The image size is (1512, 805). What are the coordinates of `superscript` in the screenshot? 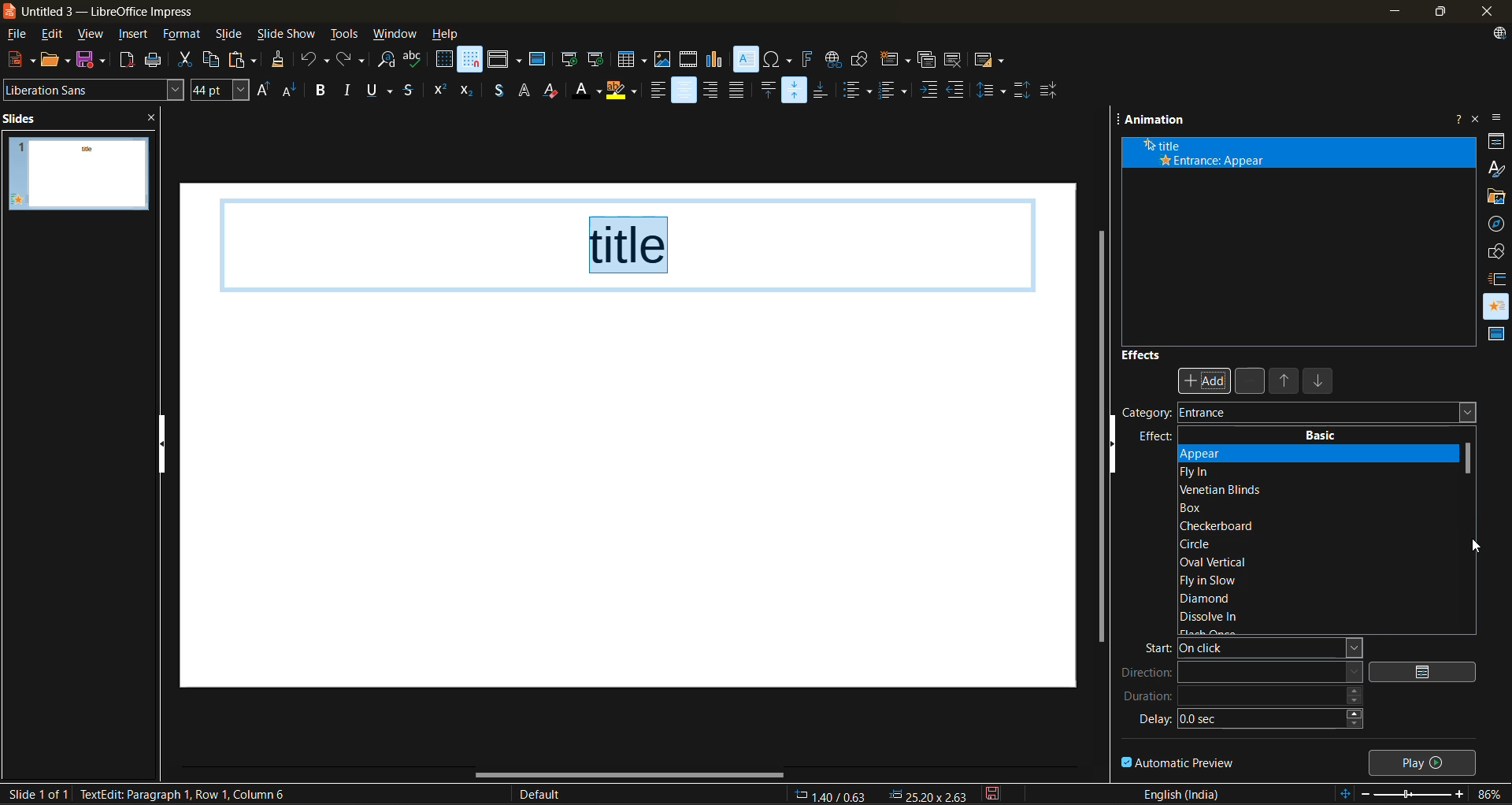 It's located at (439, 88).